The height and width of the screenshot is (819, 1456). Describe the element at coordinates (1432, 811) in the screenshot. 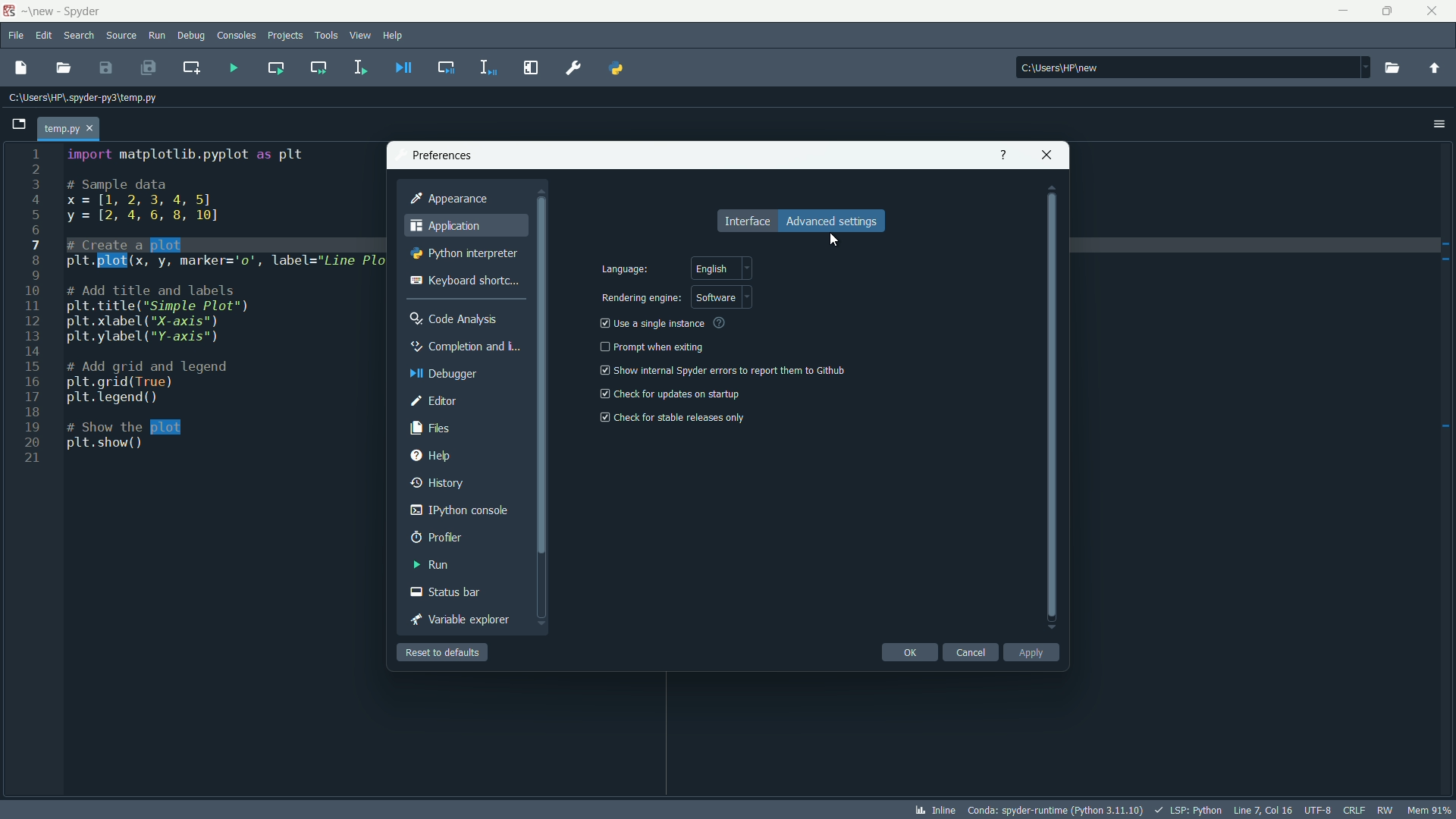

I see `memory usage` at that location.